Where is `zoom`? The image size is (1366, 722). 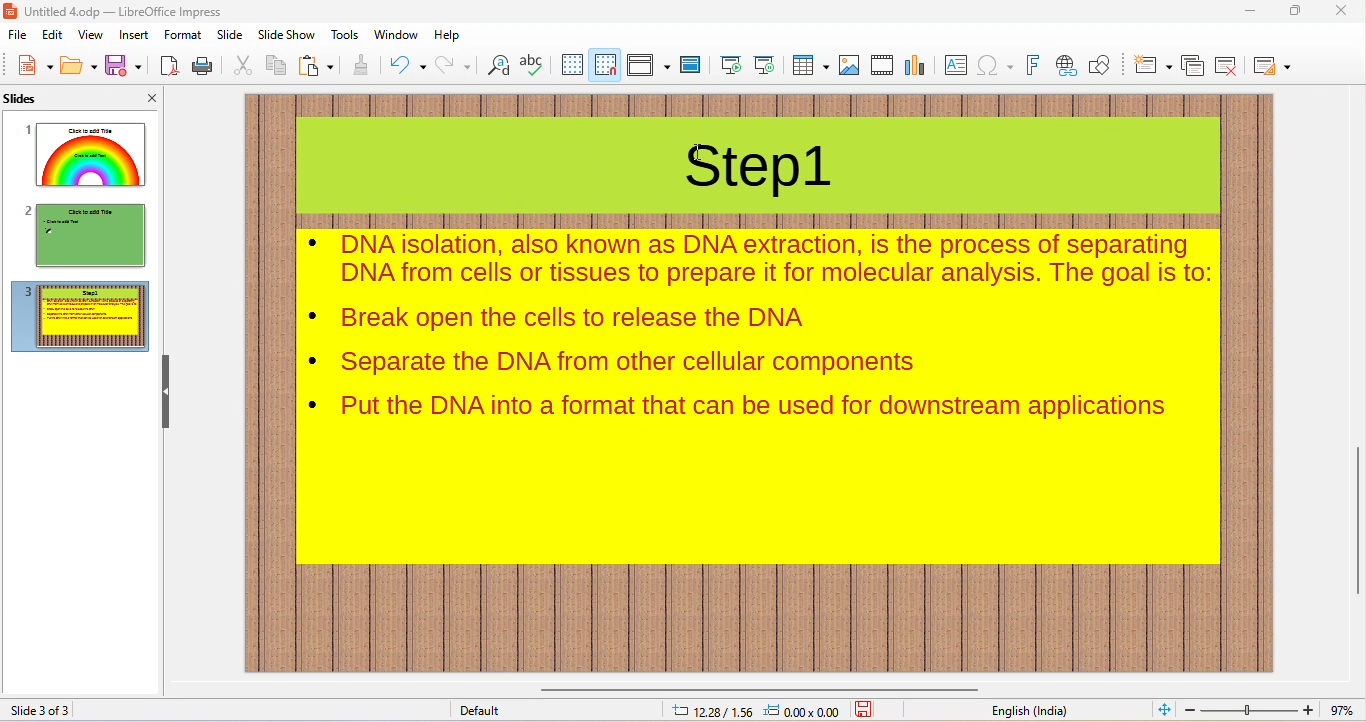
zoom is located at coordinates (1272, 709).